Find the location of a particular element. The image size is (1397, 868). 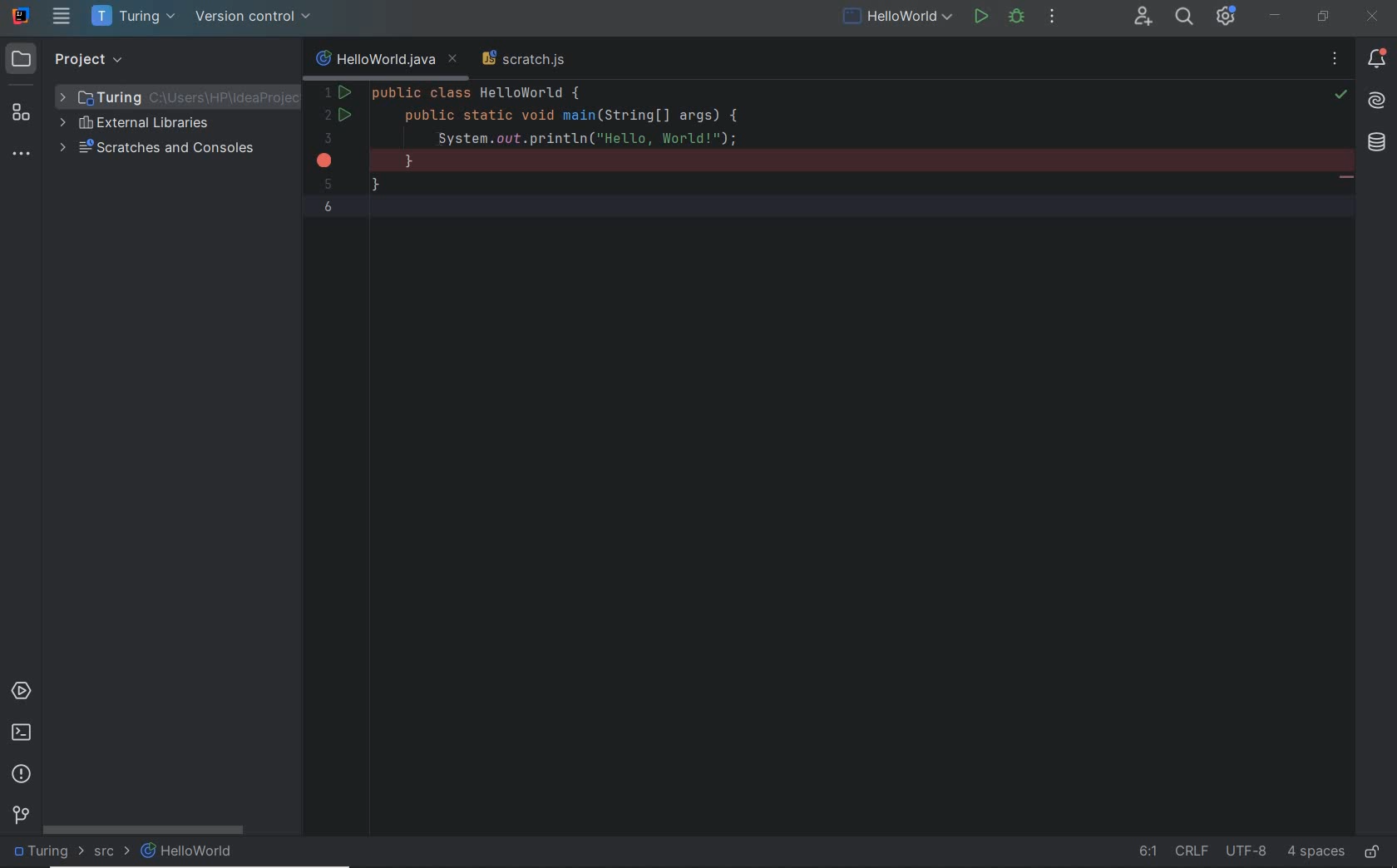

scratch file is located at coordinates (524, 60).